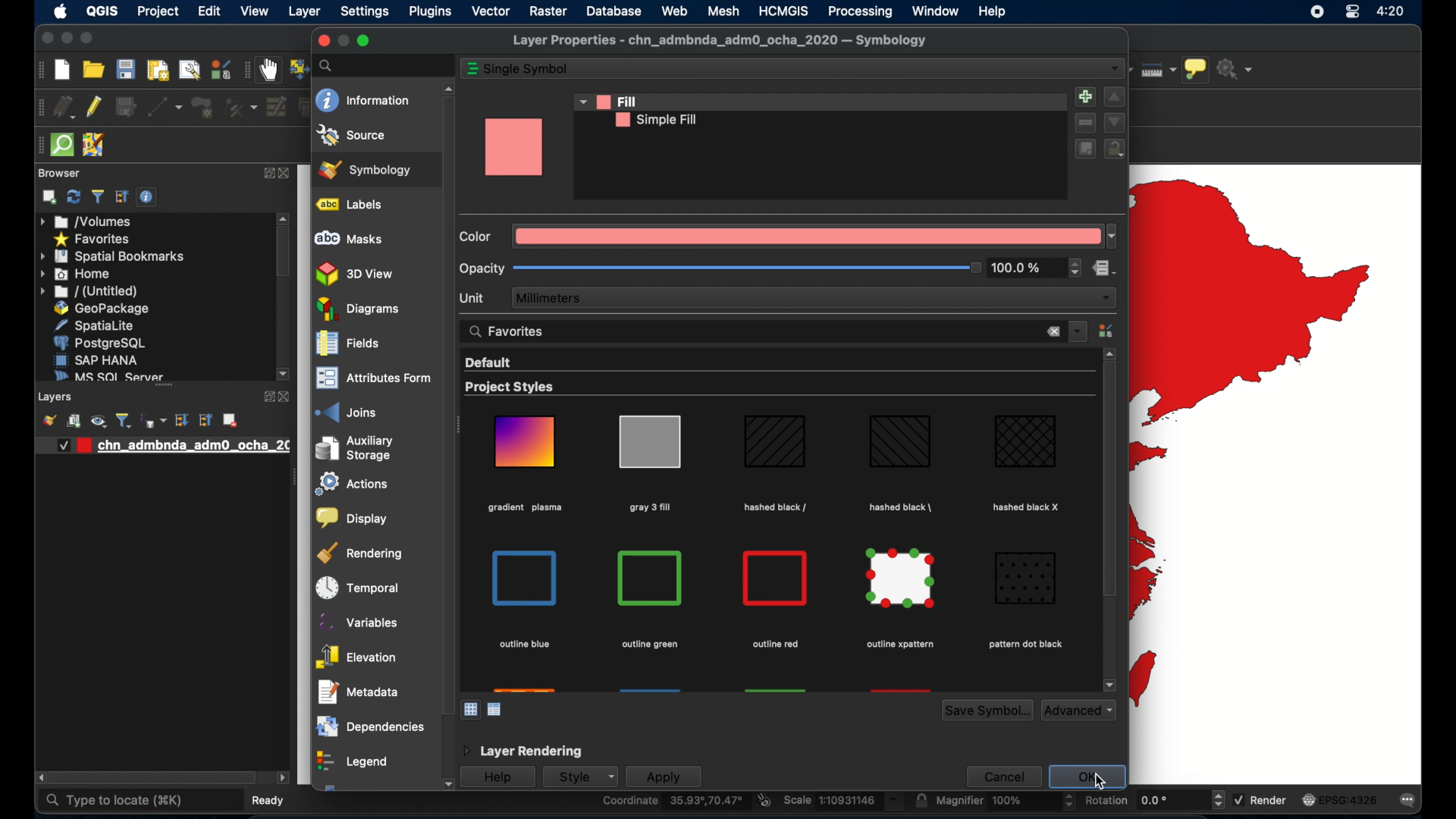  What do you see at coordinates (49, 420) in the screenshot?
I see `open layer styling panel` at bounding box center [49, 420].